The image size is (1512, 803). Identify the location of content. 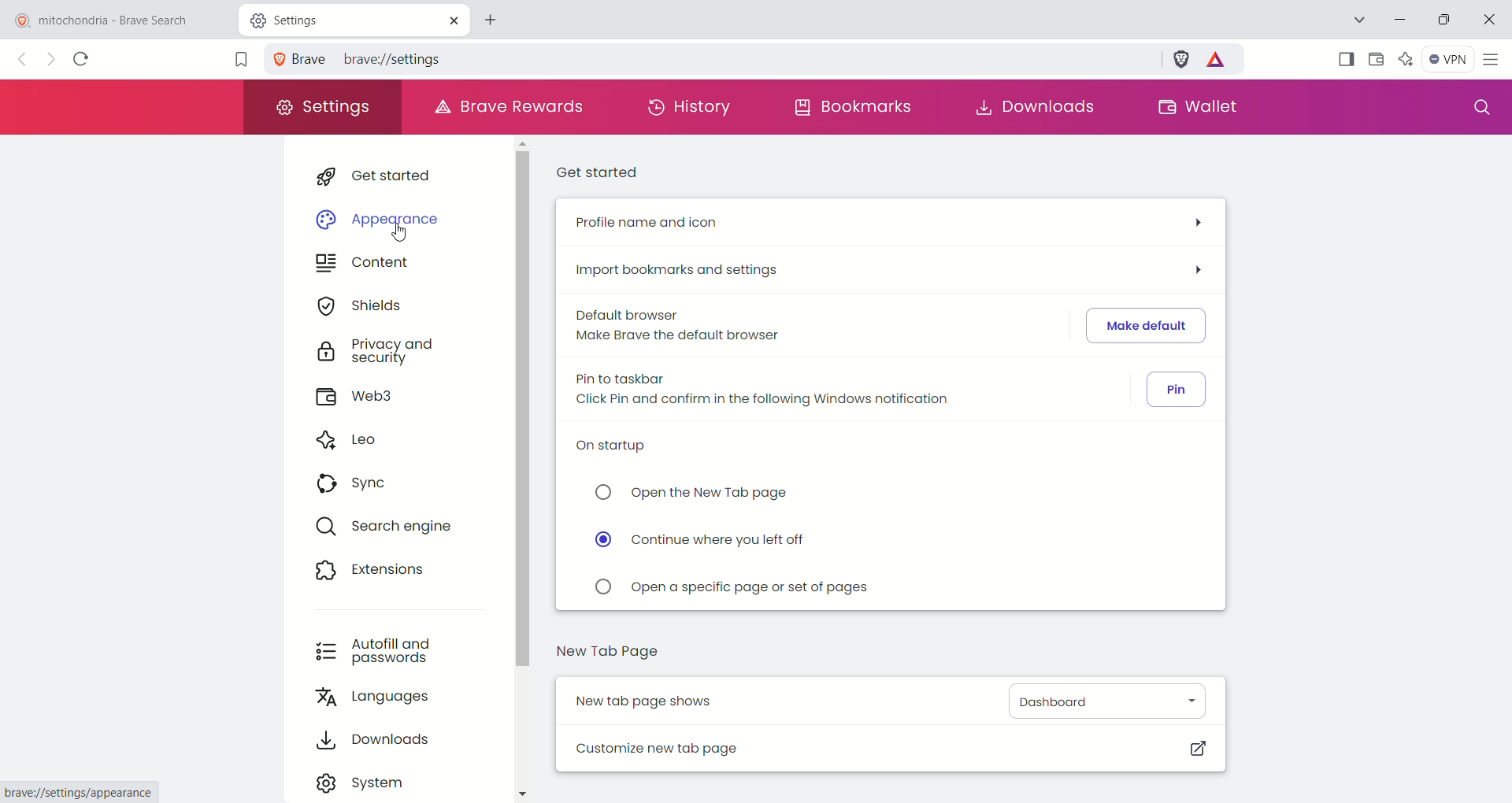
(362, 266).